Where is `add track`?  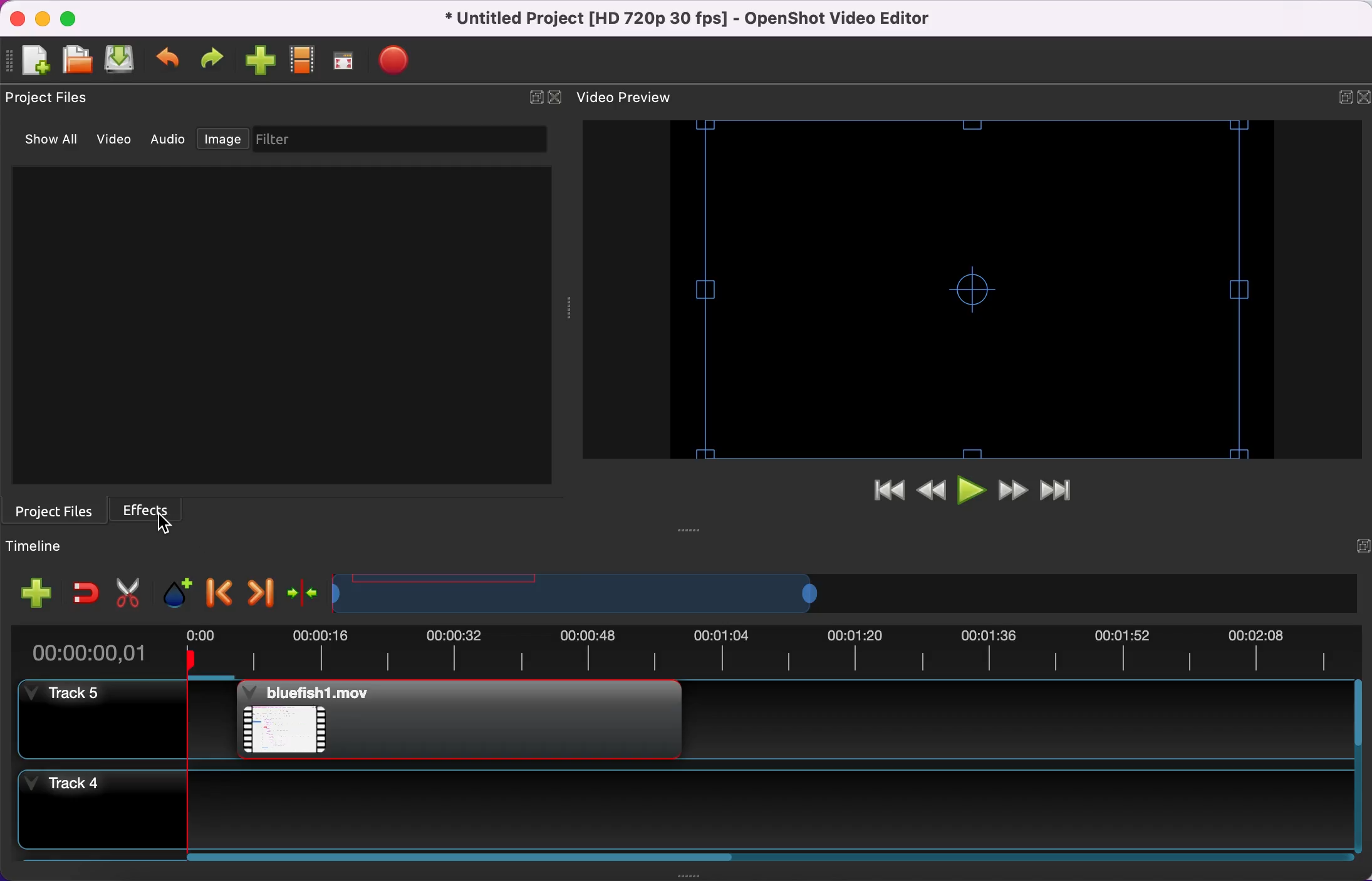
add track is located at coordinates (33, 595).